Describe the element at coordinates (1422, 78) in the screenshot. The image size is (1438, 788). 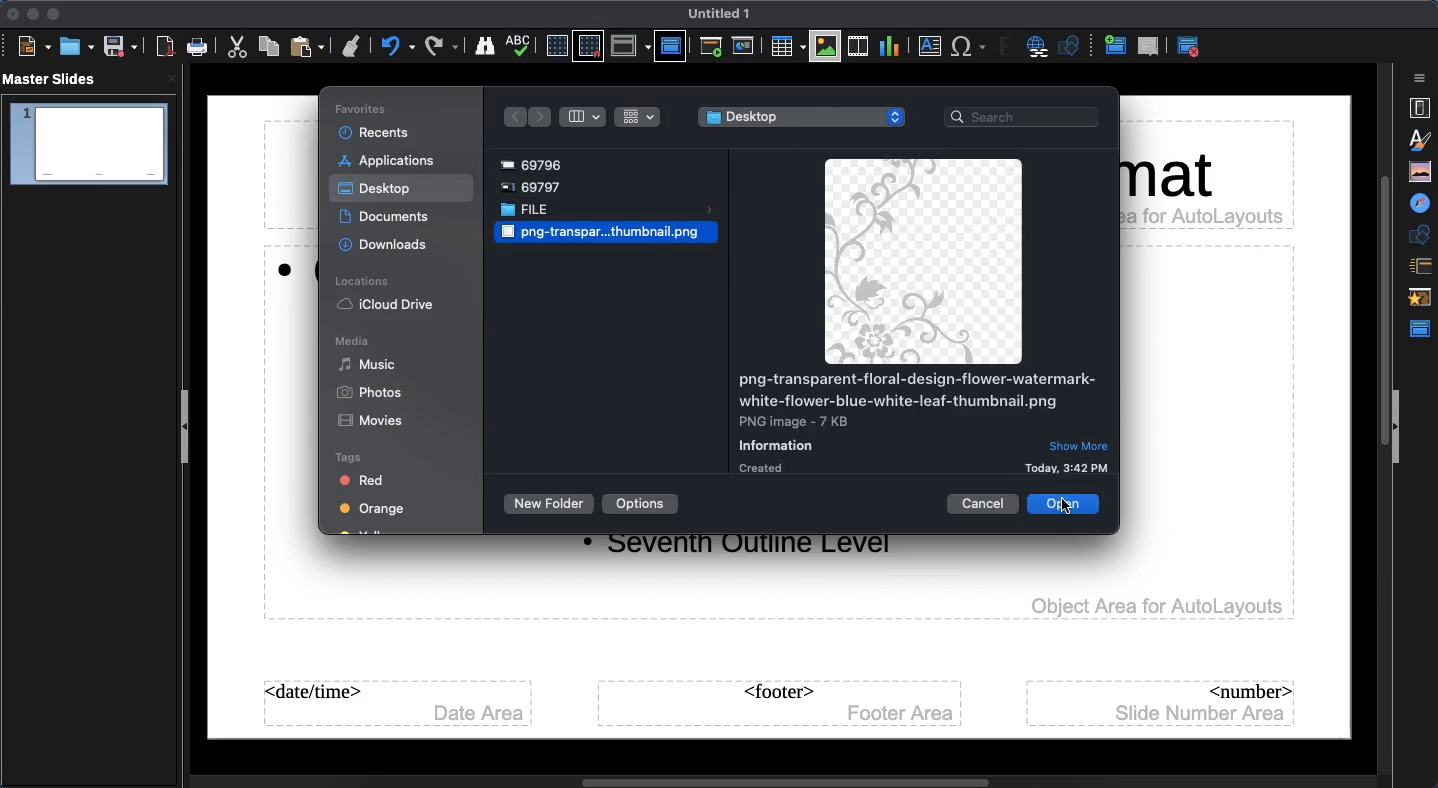
I see `Sidebar settings` at that location.